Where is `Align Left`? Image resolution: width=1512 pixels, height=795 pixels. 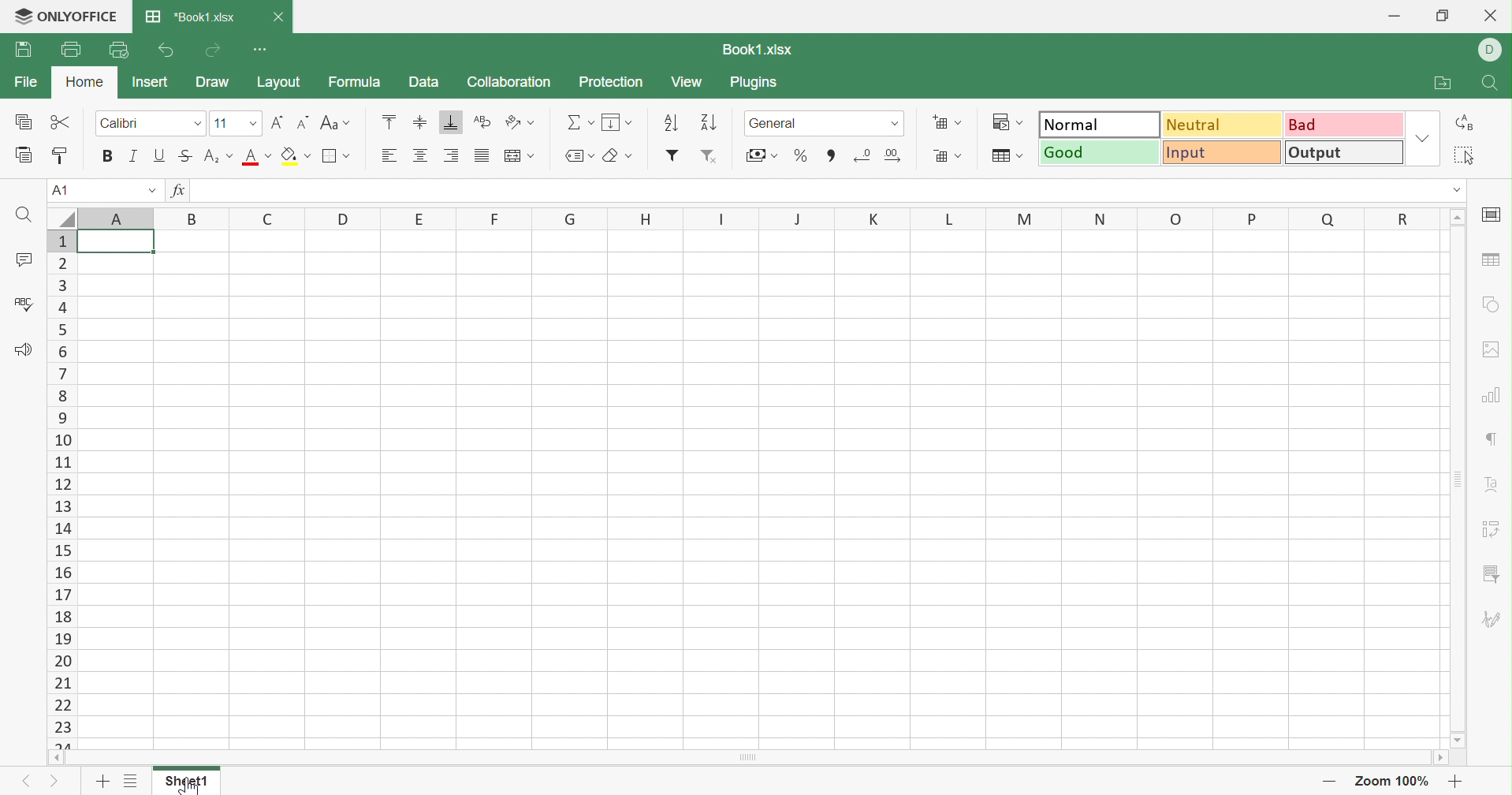
Align Left is located at coordinates (389, 154).